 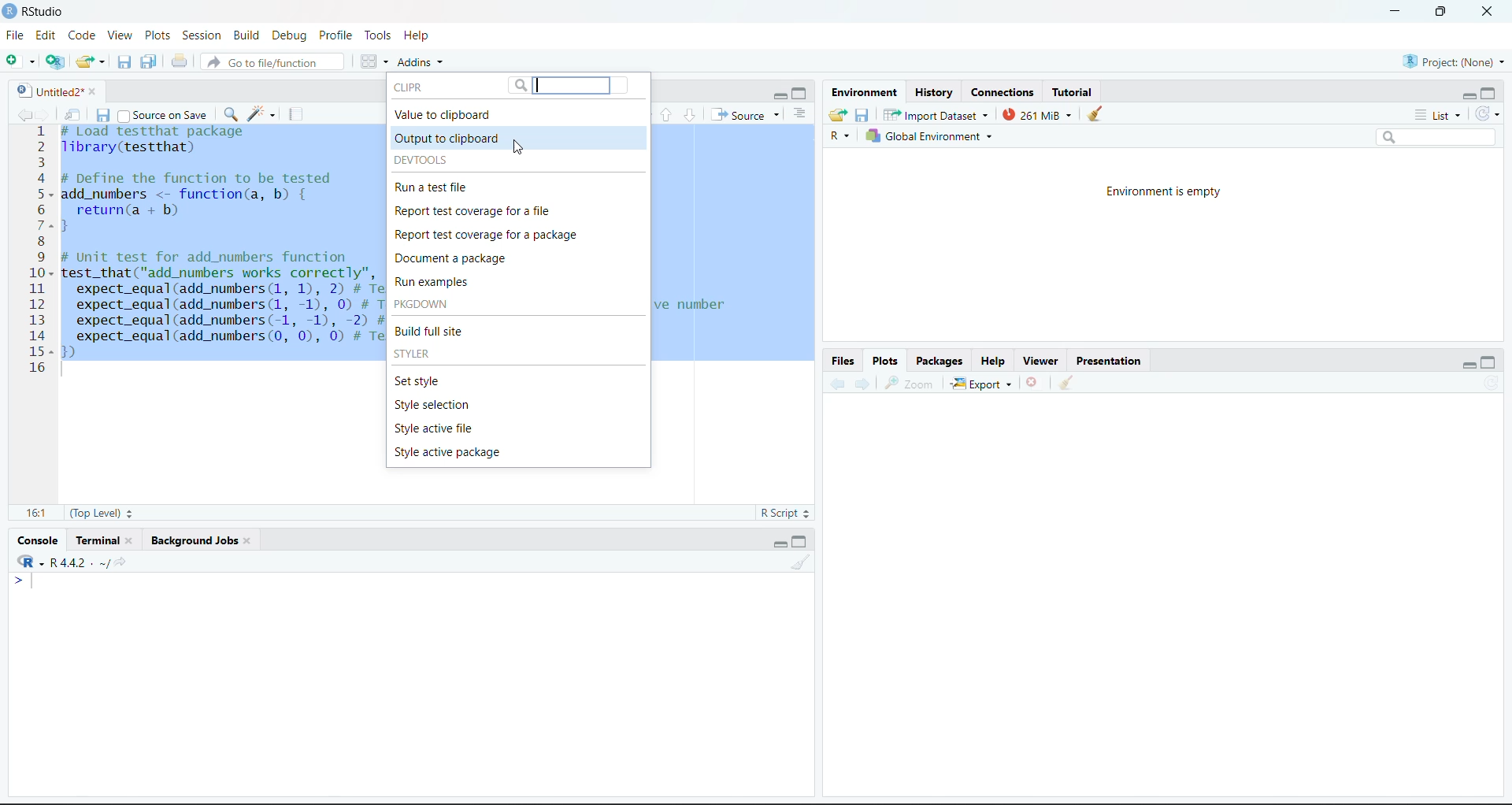 What do you see at coordinates (45, 35) in the screenshot?
I see `Edit` at bounding box center [45, 35].